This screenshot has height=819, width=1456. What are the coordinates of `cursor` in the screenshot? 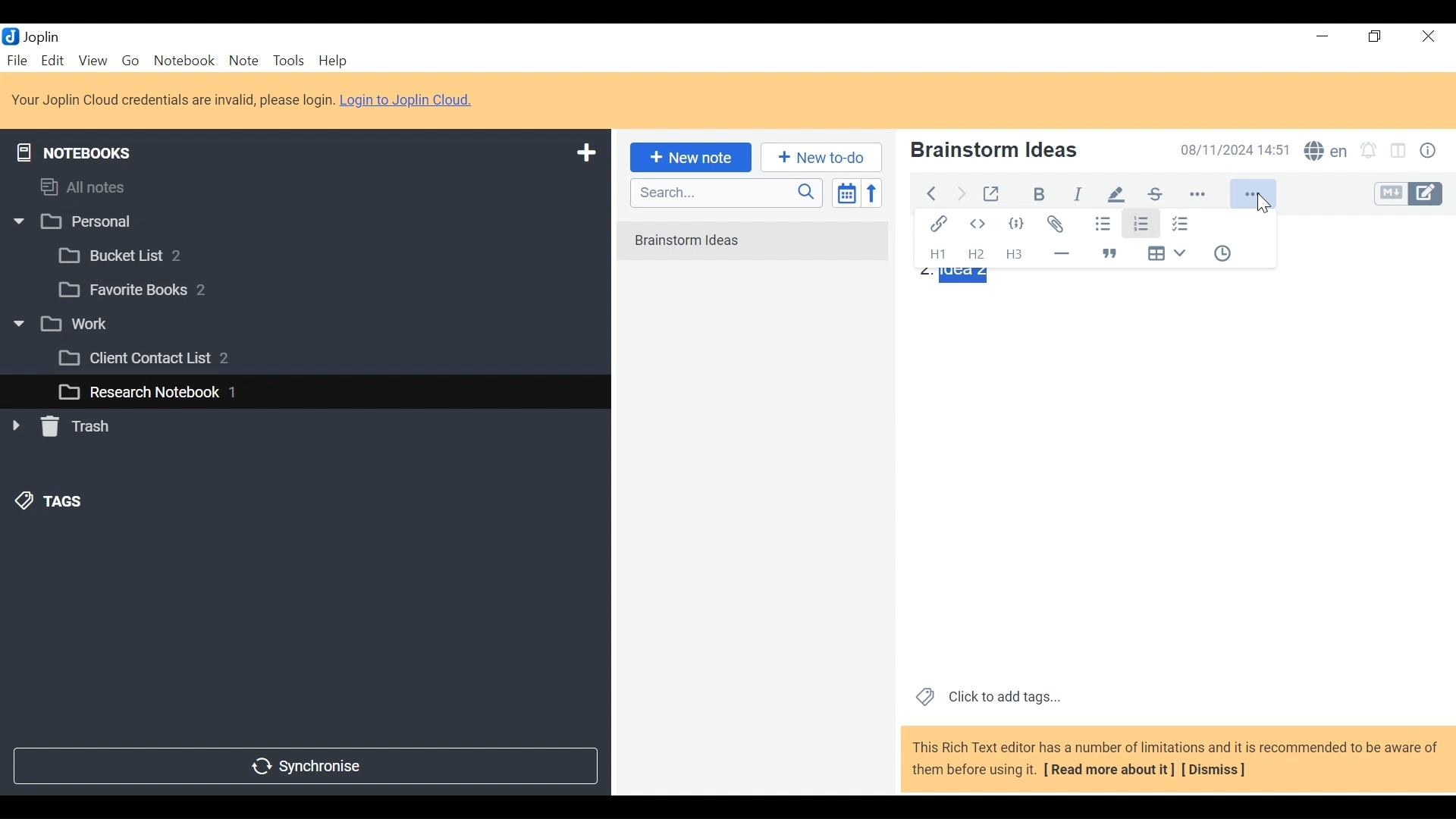 It's located at (1266, 202).